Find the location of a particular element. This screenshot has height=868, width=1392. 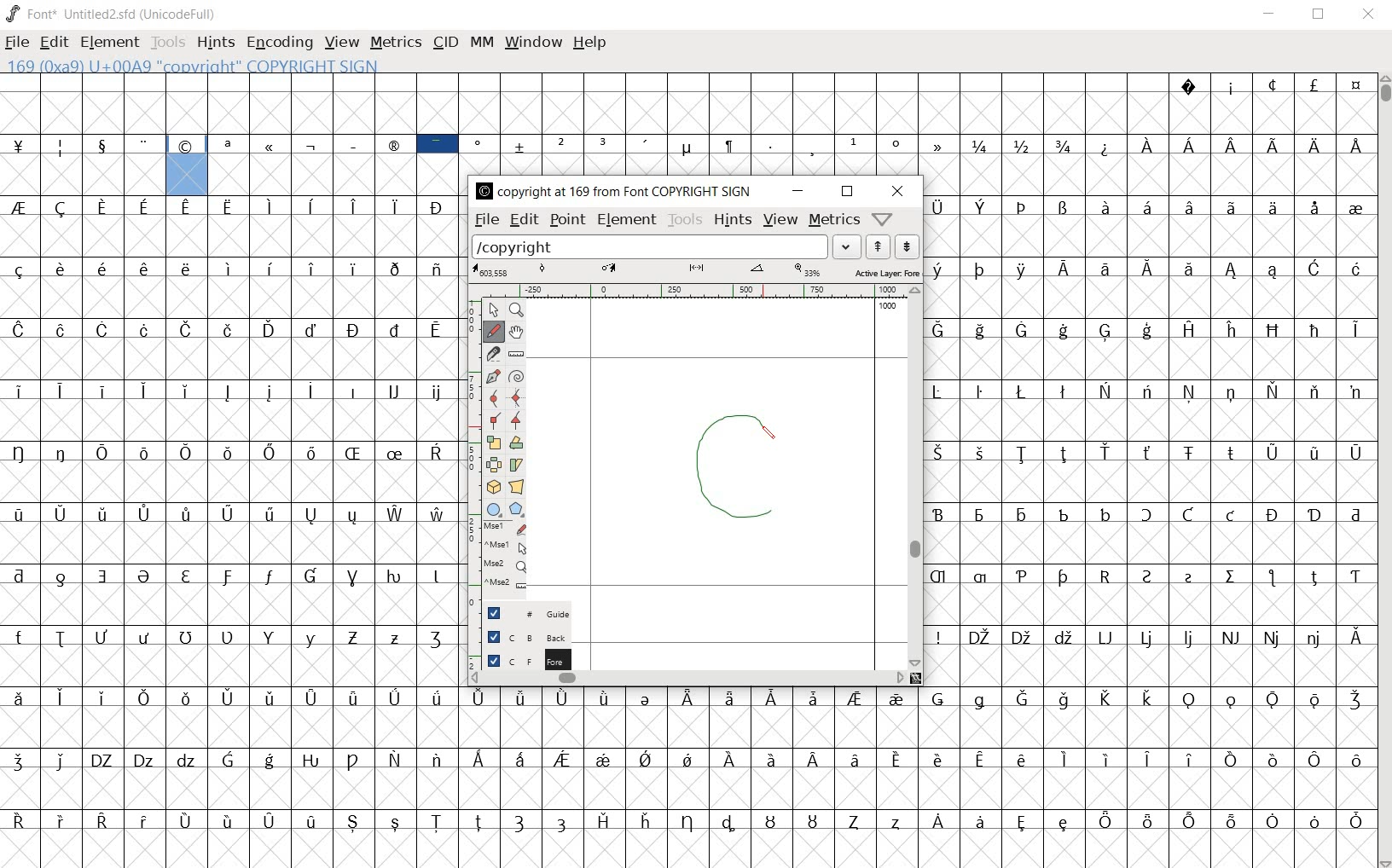

ruler is located at coordinates (694, 291).